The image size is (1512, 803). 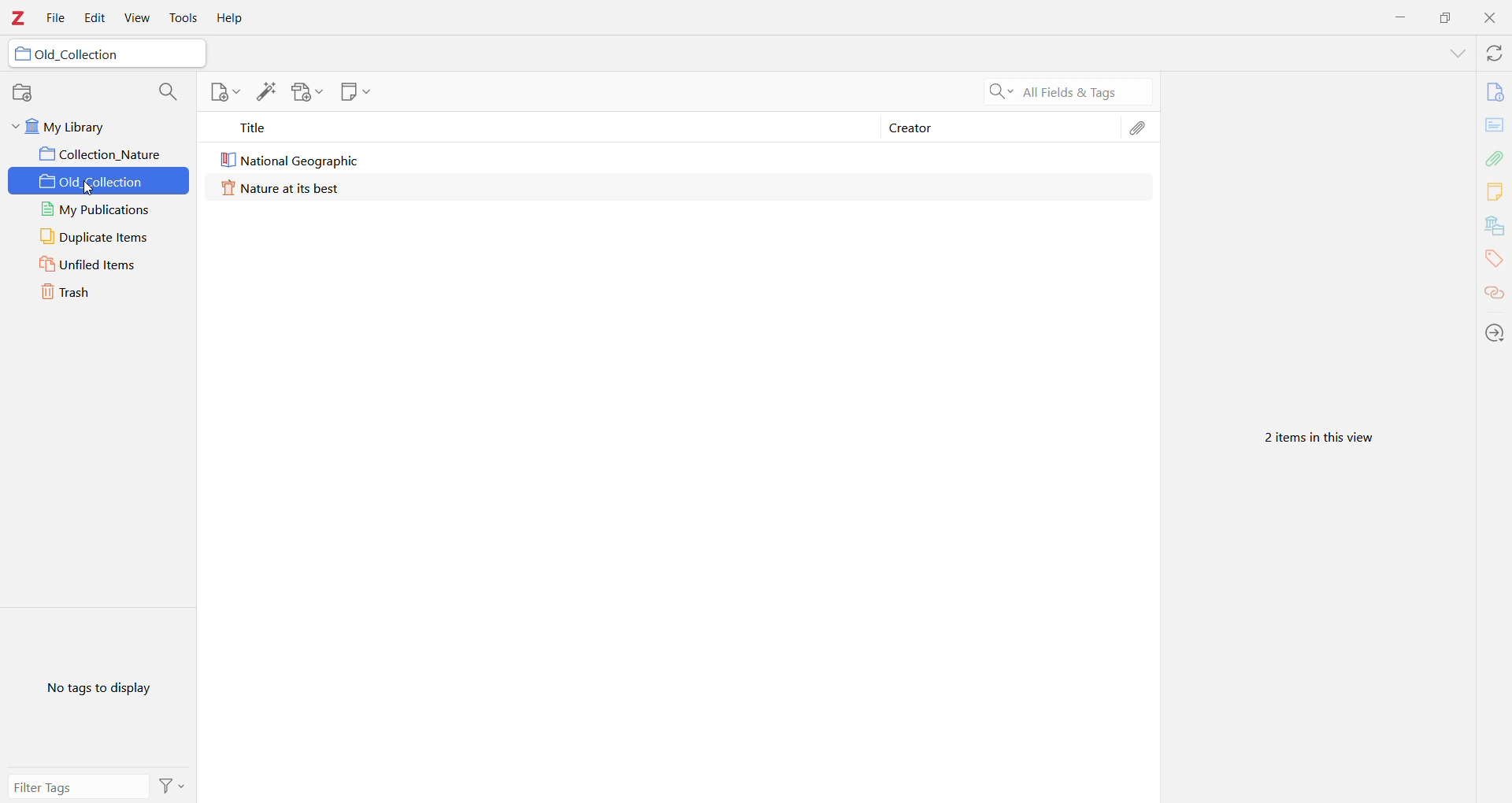 I want to click on Minimize, so click(x=1403, y=16).